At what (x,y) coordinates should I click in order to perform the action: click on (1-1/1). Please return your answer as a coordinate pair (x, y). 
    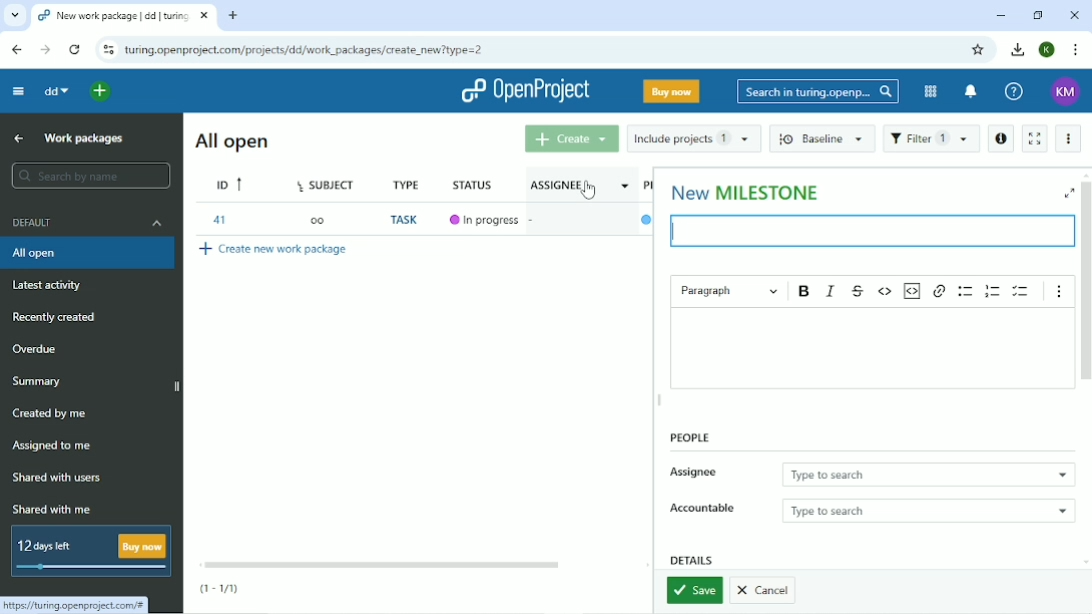
    Looking at the image, I should click on (220, 587).